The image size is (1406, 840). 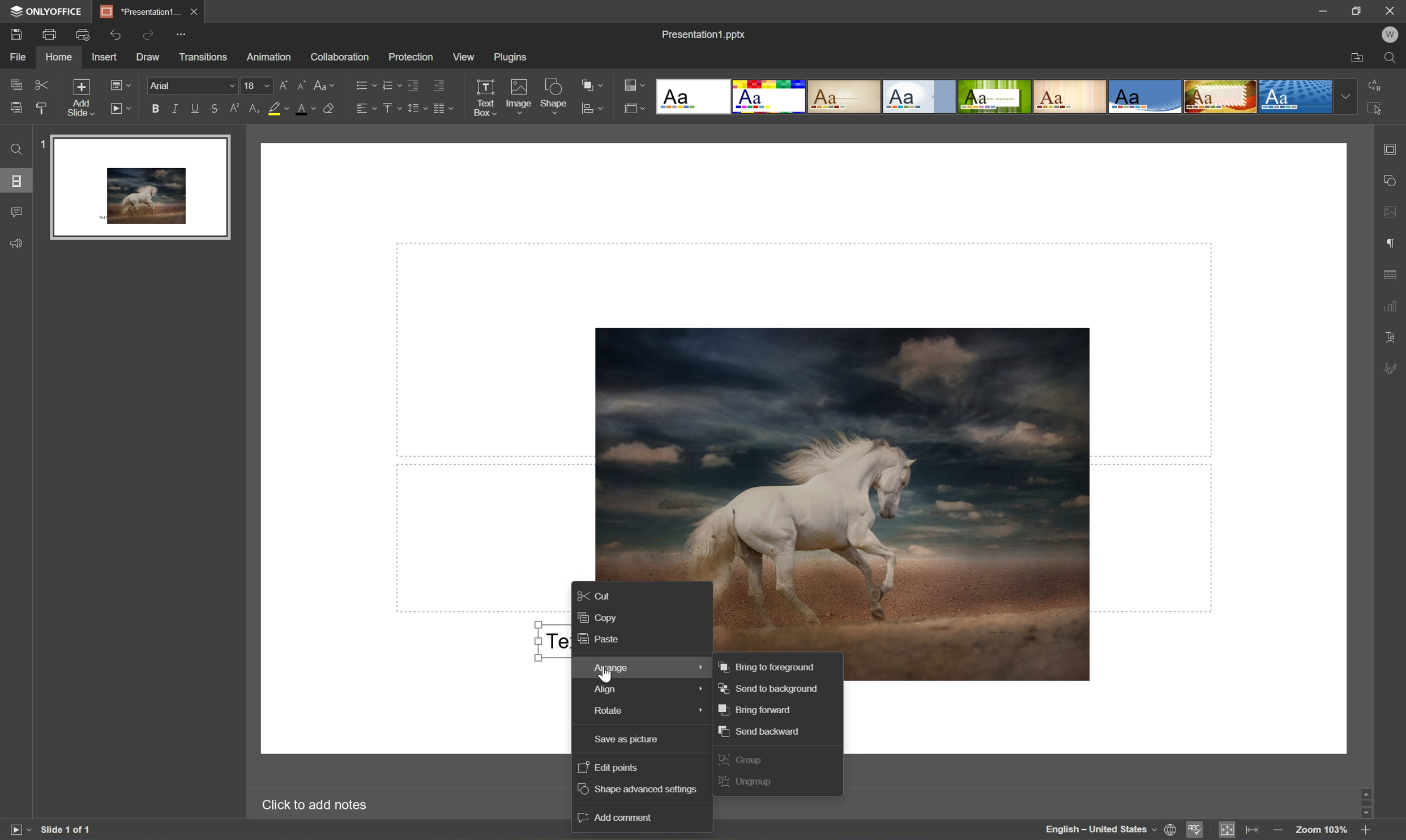 What do you see at coordinates (41, 108) in the screenshot?
I see `Copy style` at bounding box center [41, 108].